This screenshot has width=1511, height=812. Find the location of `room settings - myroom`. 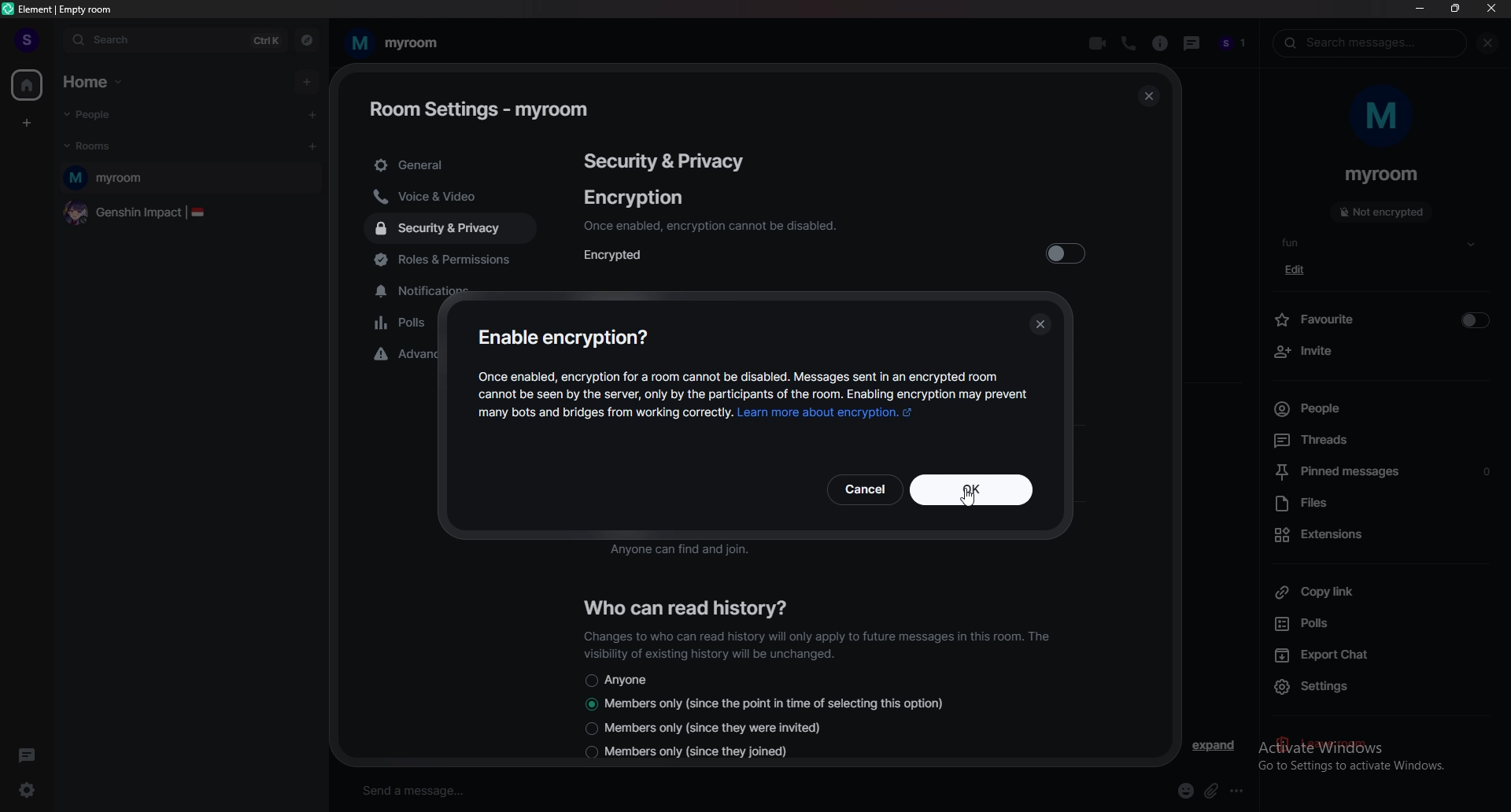

room settings - myroom is located at coordinates (481, 107).